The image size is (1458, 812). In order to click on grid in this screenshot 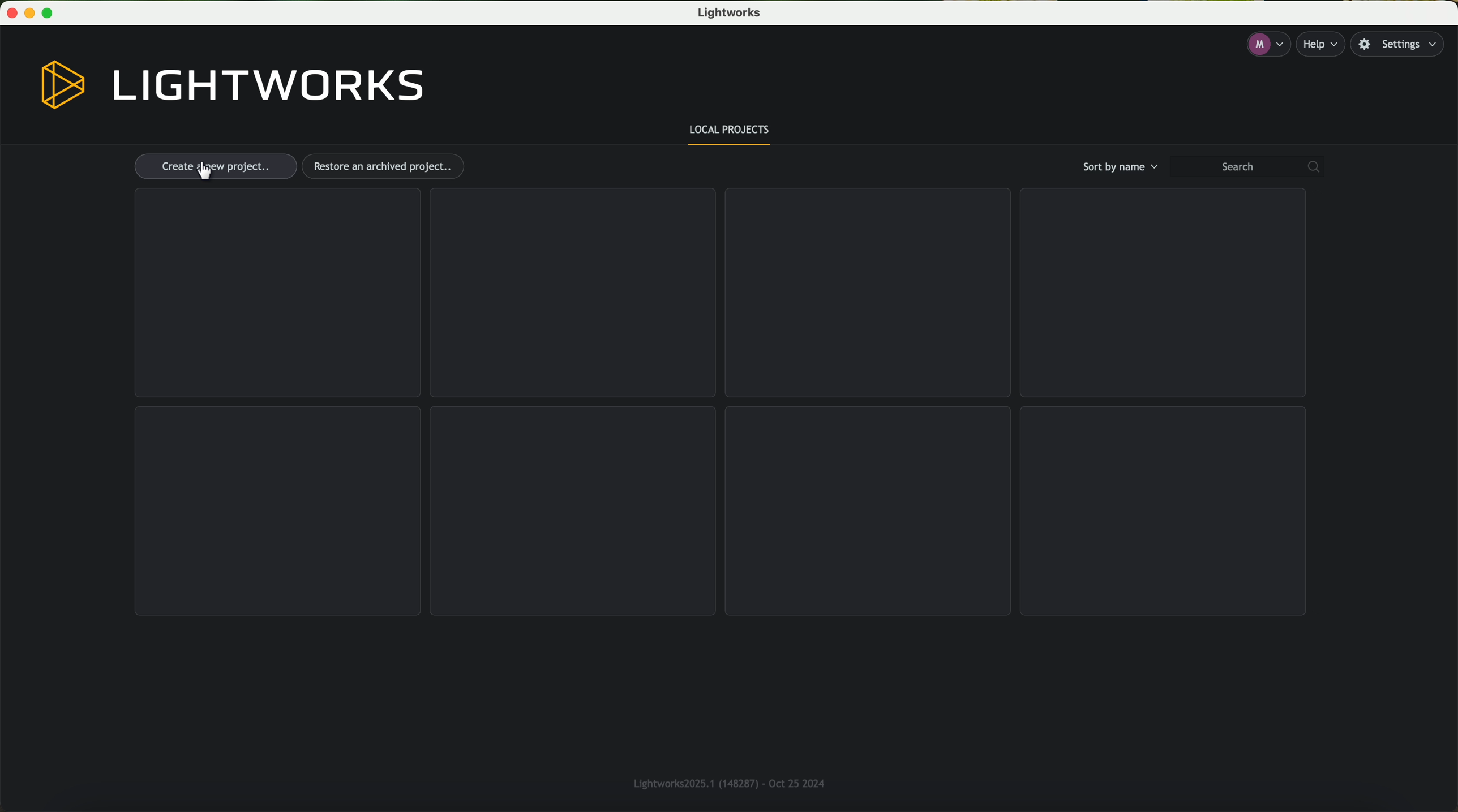, I will do `click(868, 510)`.